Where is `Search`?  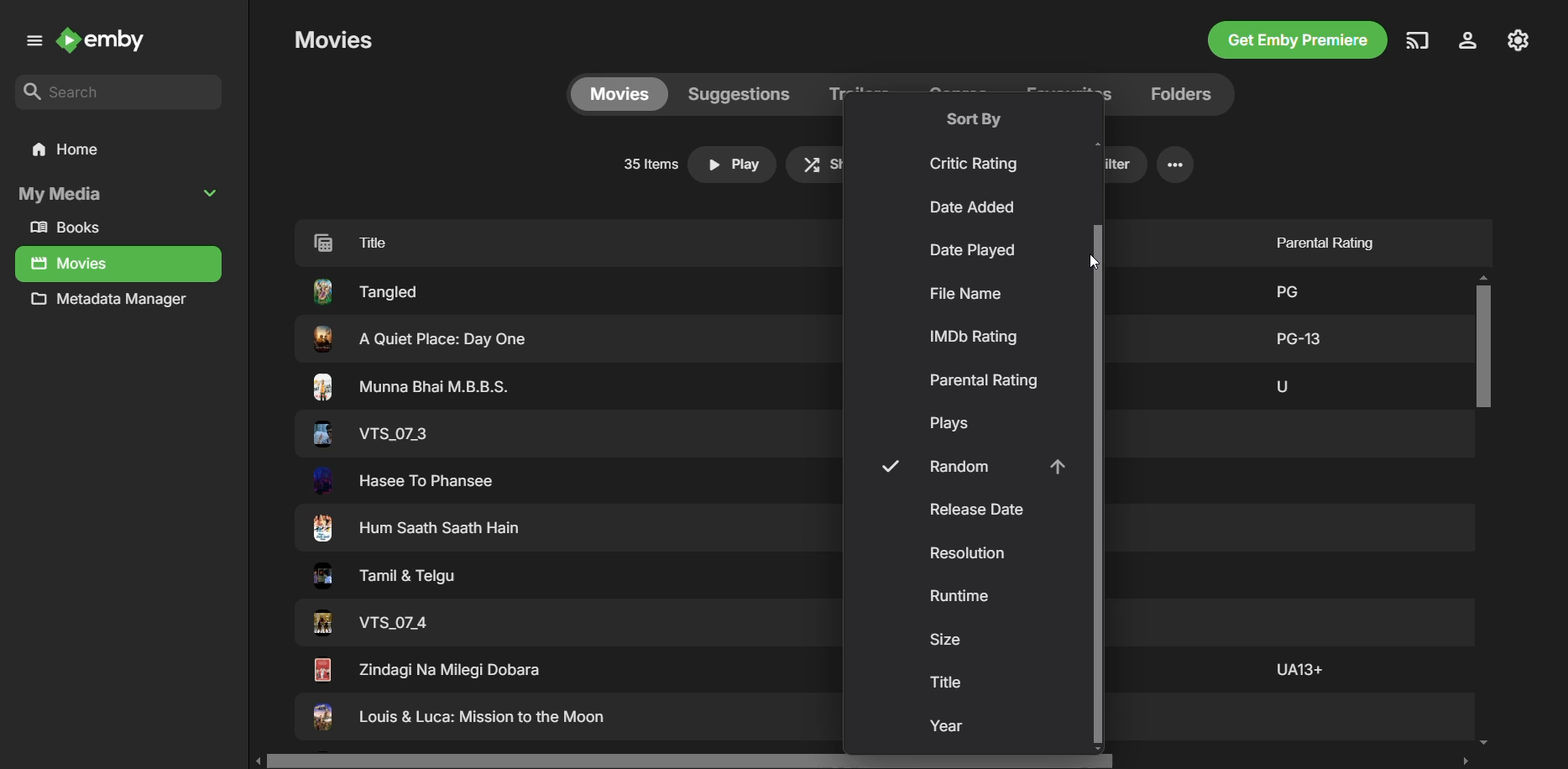 Search is located at coordinates (119, 93).